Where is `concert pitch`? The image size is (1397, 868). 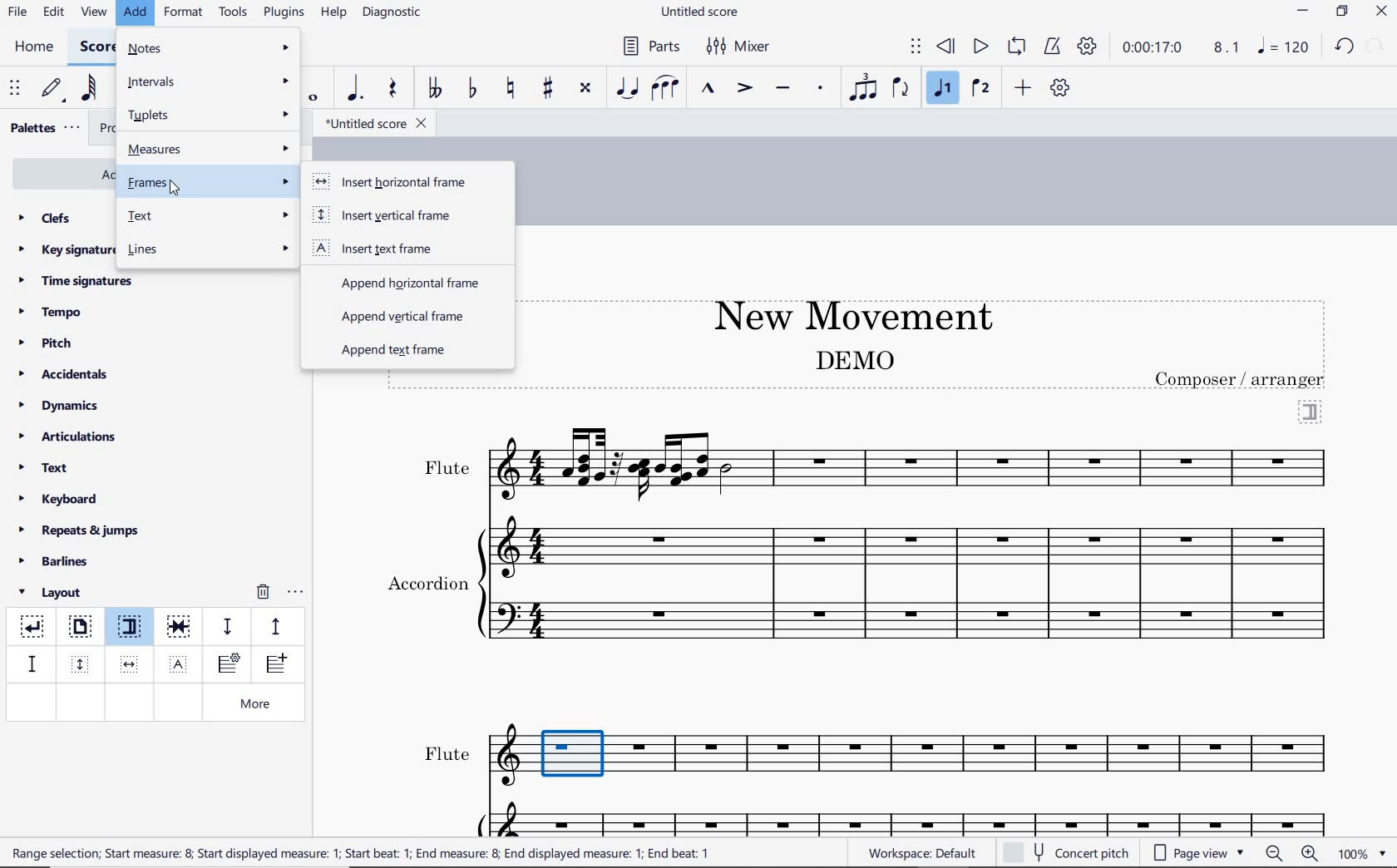 concert pitch is located at coordinates (1068, 851).